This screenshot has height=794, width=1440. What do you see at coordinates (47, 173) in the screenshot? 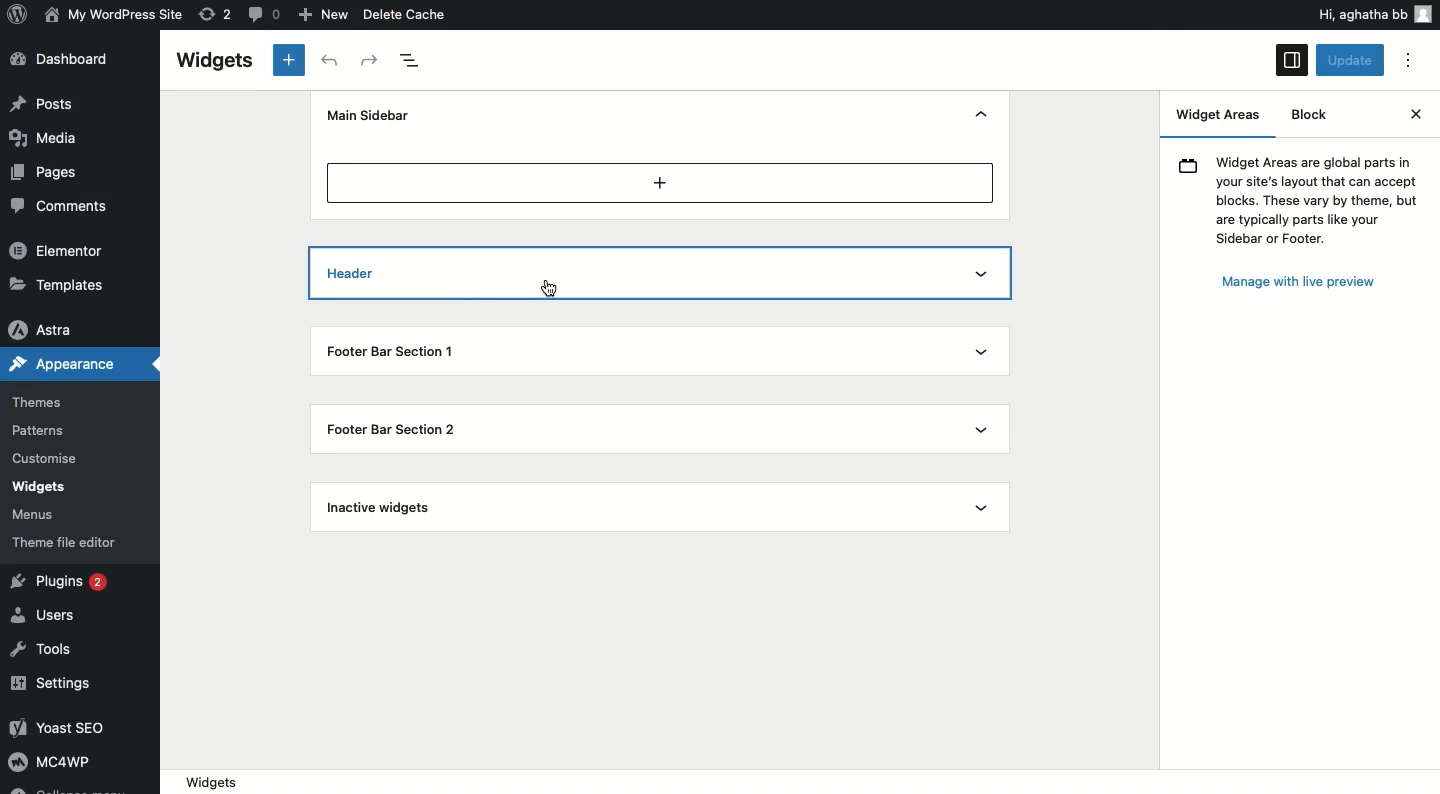
I see `Pages` at bounding box center [47, 173].